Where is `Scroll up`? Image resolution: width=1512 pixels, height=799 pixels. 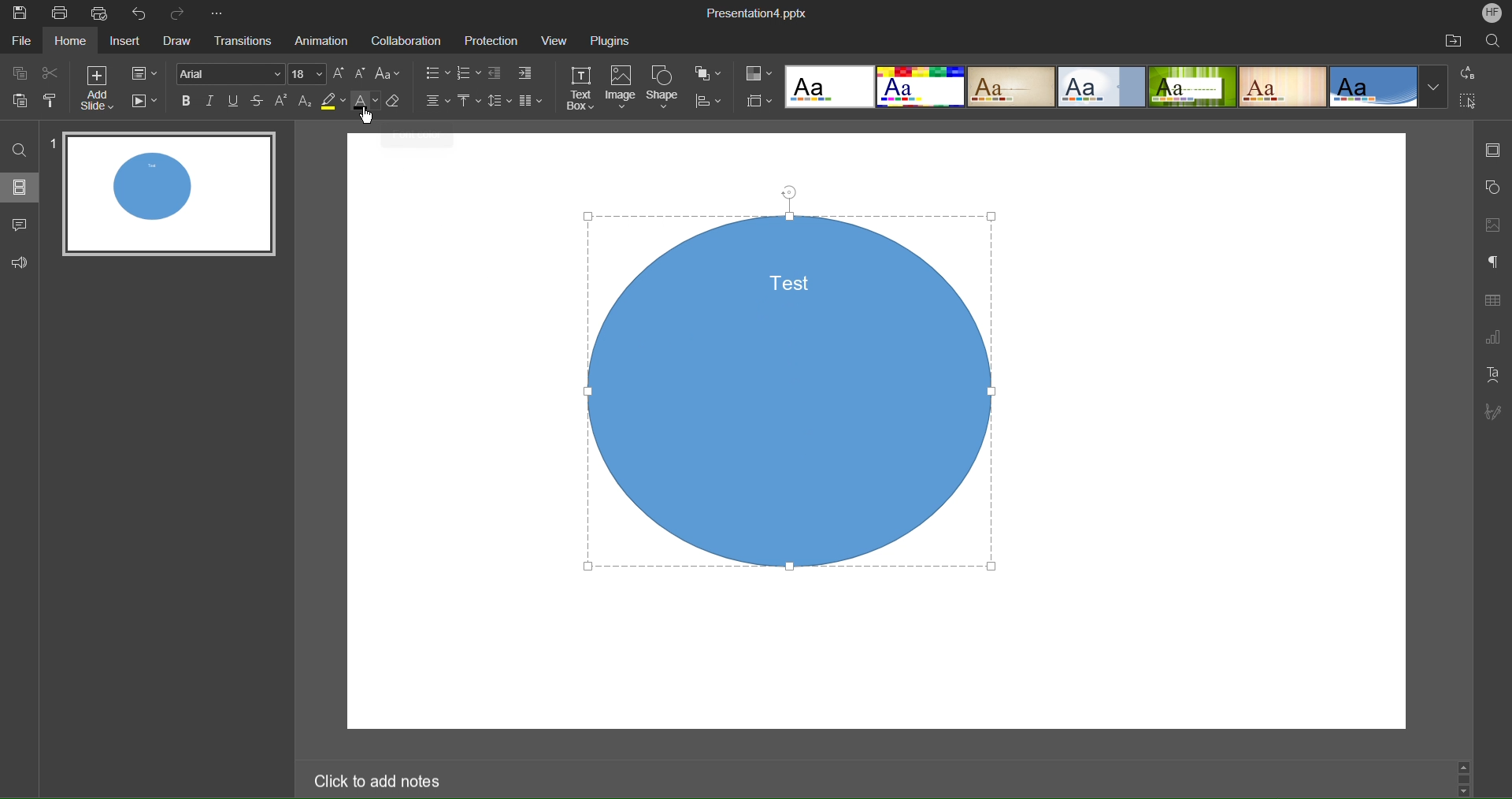 Scroll up is located at coordinates (1464, 764).